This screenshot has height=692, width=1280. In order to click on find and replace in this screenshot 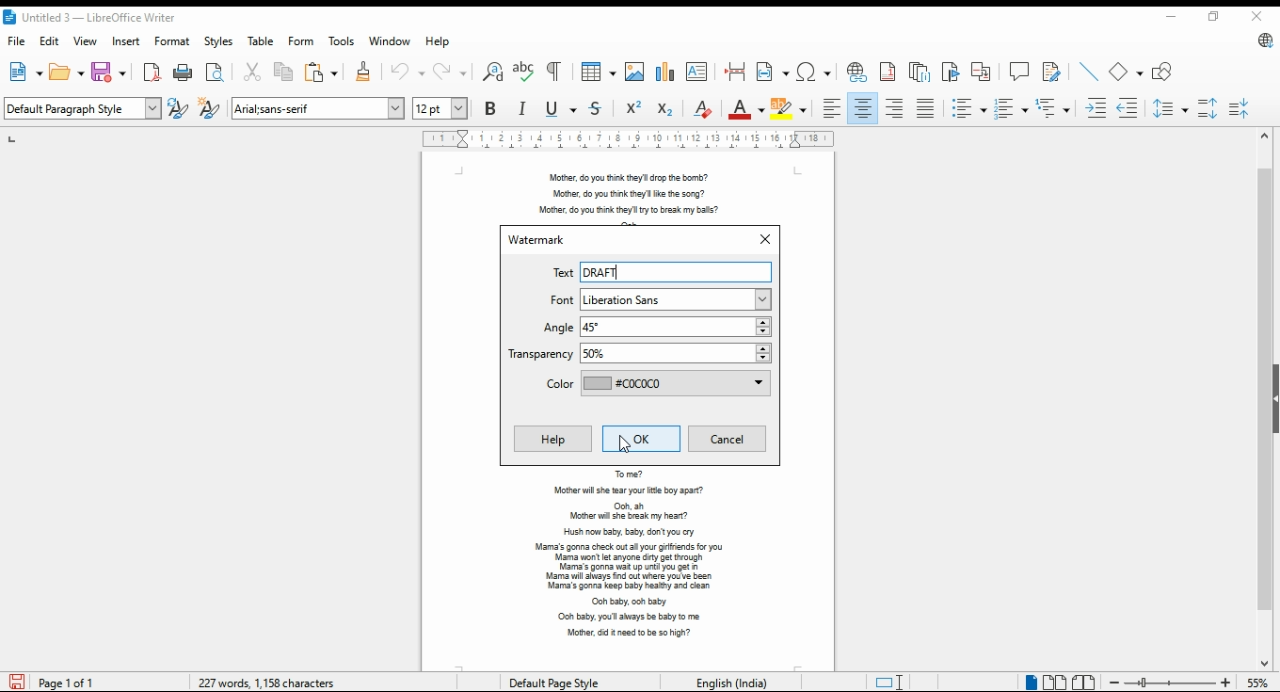, I will do `click(493, 72)`.